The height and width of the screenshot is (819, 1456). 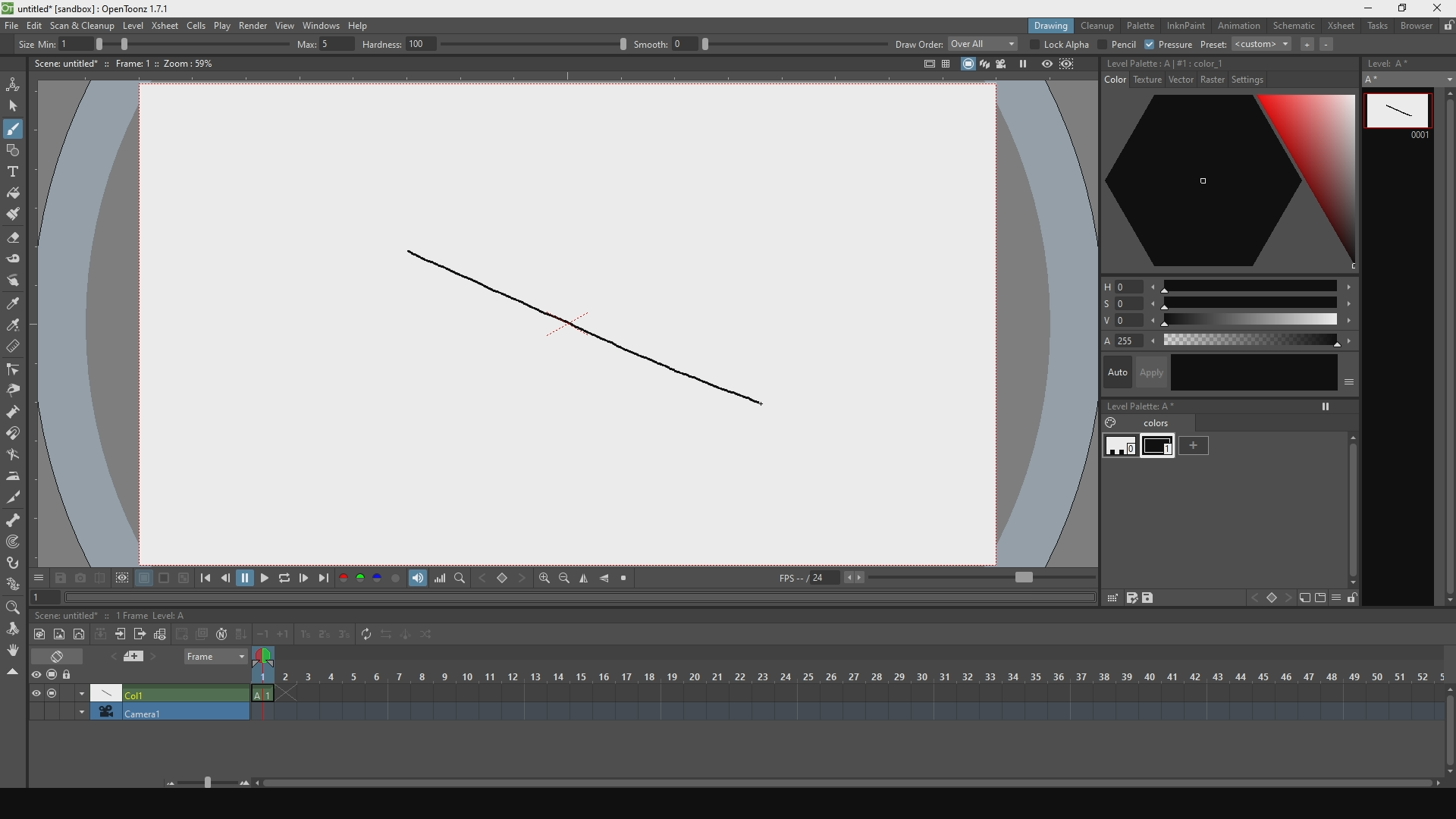 I want to click on hardness, so click(x=491, y=44).